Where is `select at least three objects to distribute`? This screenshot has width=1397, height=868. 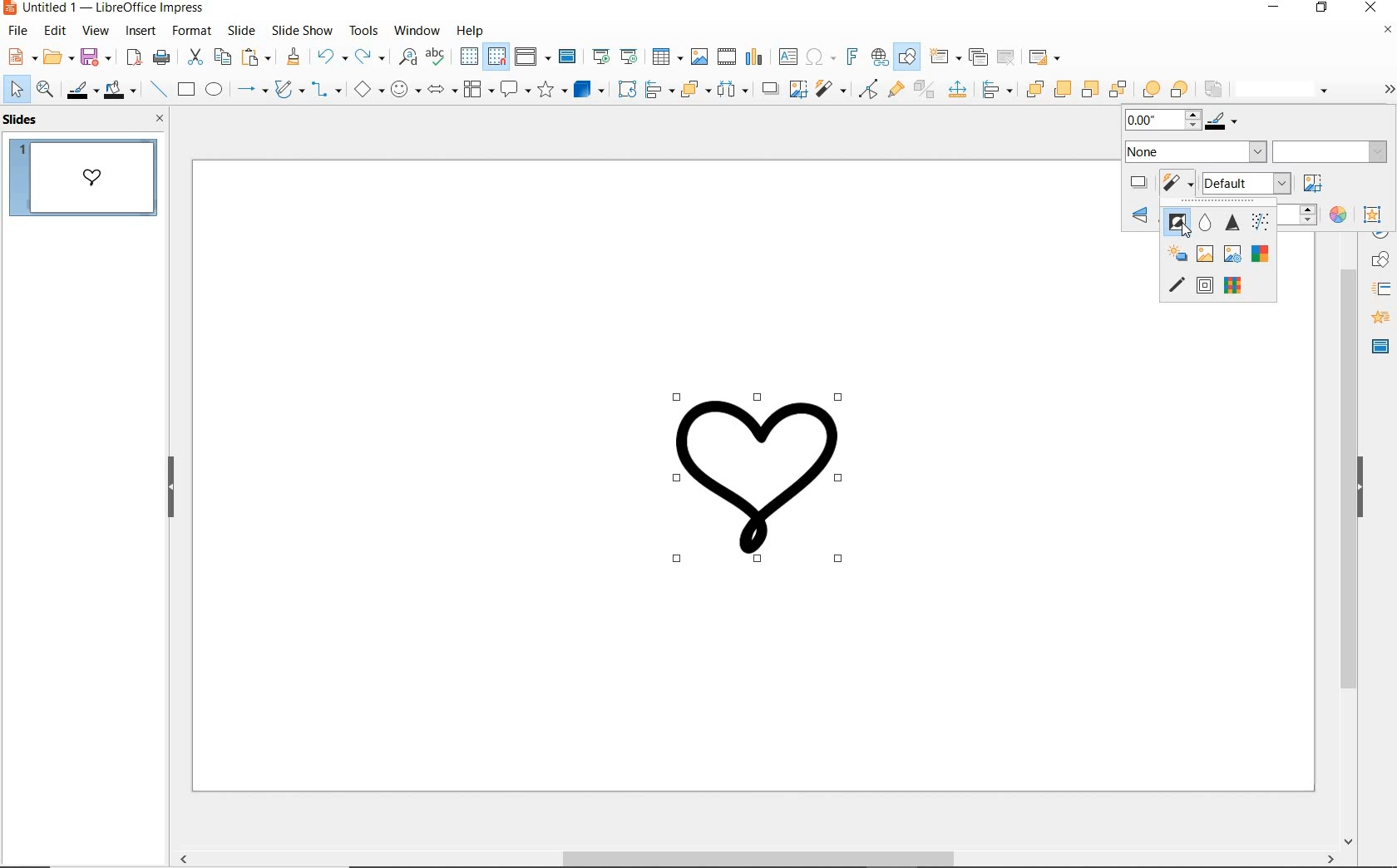
select at least three objects to distribute is located at coordinates (733, 91).